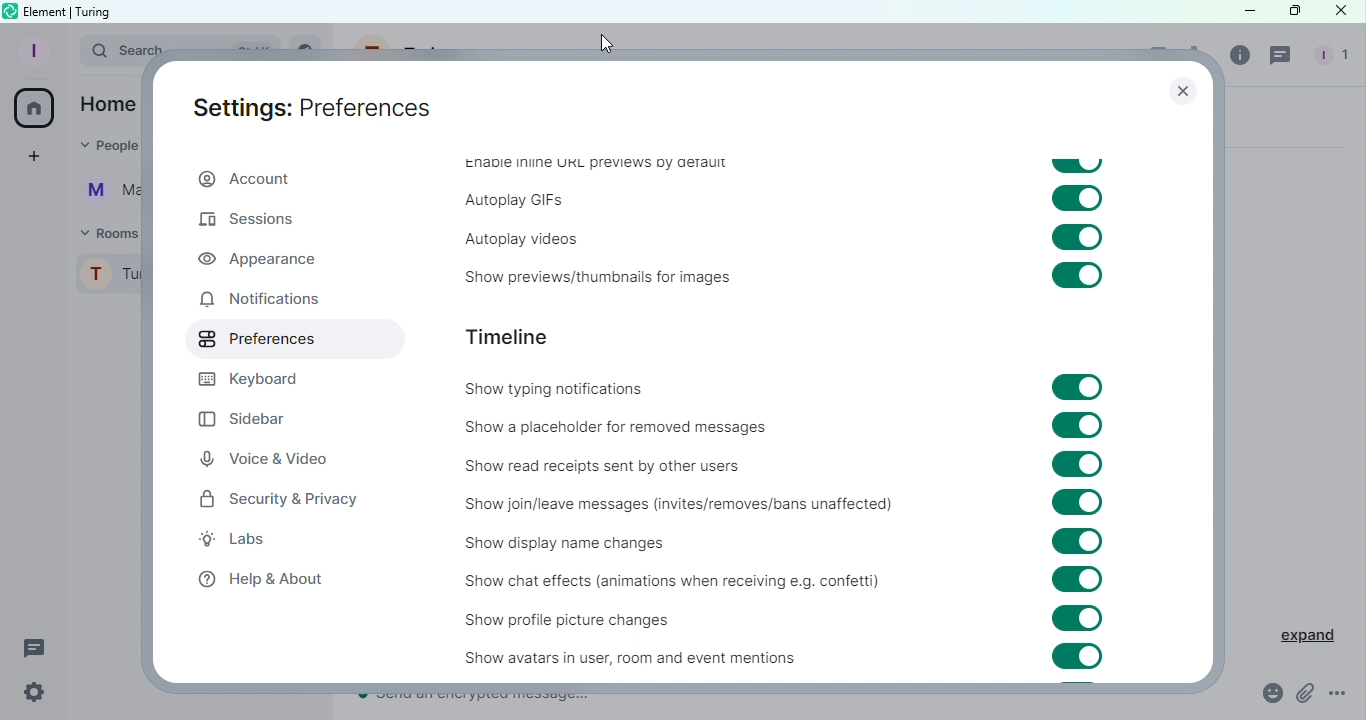 This screenshot has width=1366, height=720. I want to click on Toggle, so click(1079, 579).